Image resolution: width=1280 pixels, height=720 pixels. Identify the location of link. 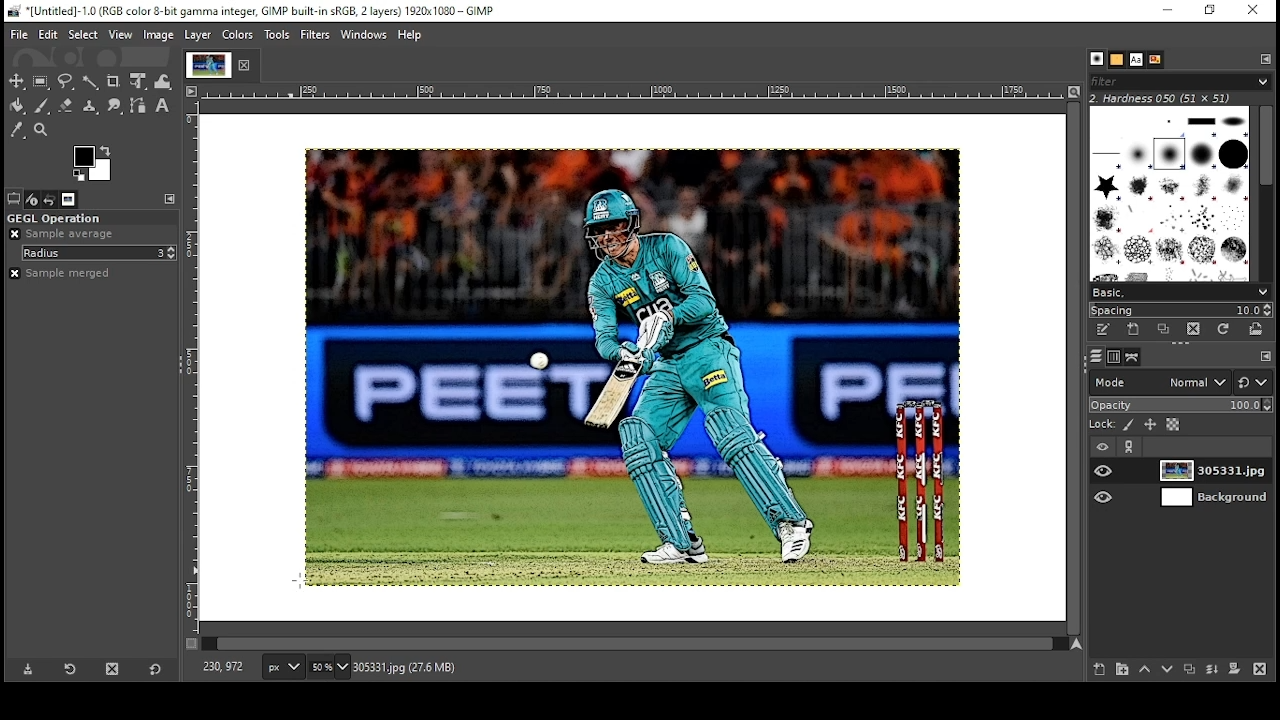
(1131, 448).